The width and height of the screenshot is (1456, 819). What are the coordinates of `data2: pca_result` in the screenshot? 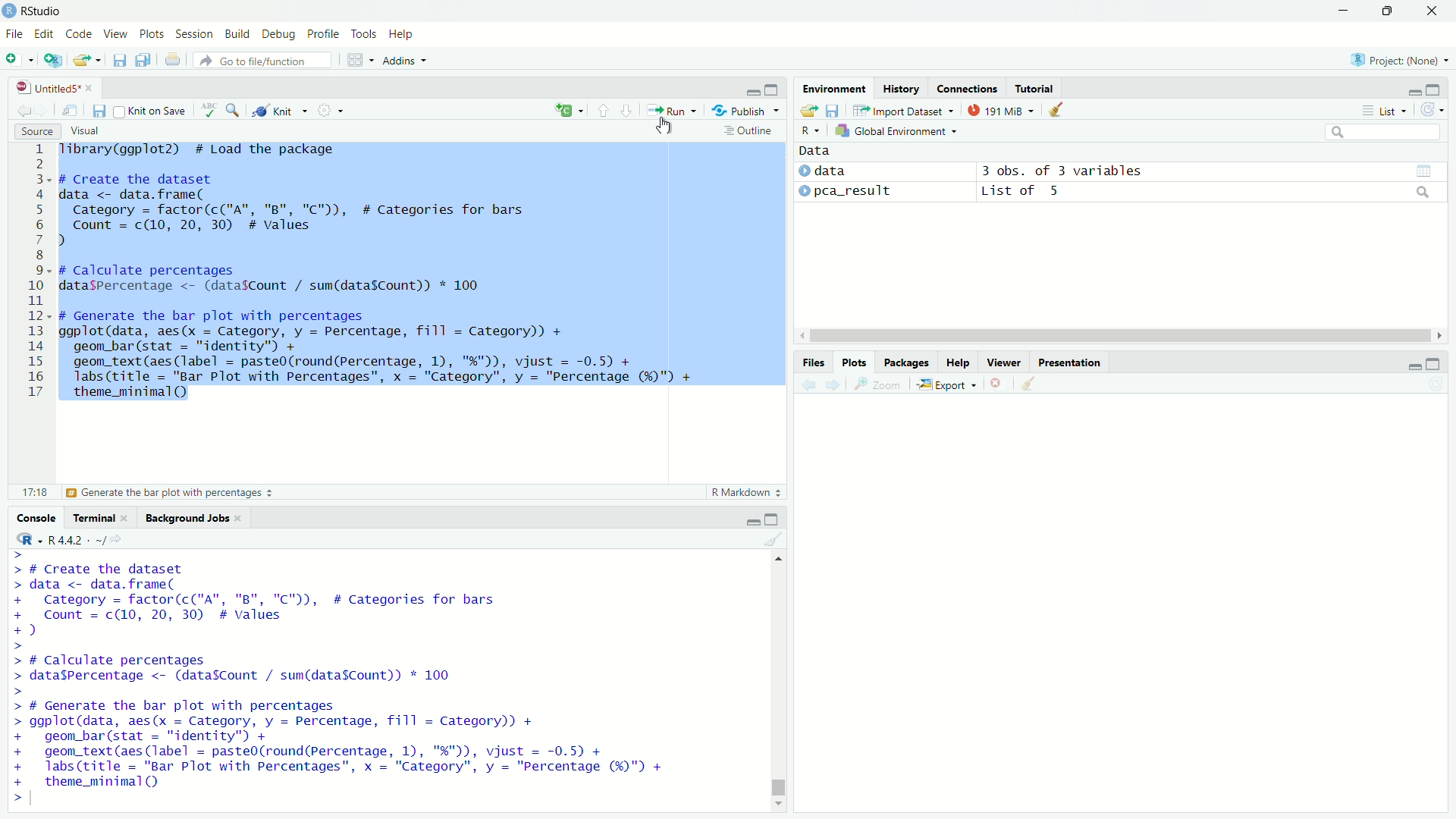 It's located at (858, 192).